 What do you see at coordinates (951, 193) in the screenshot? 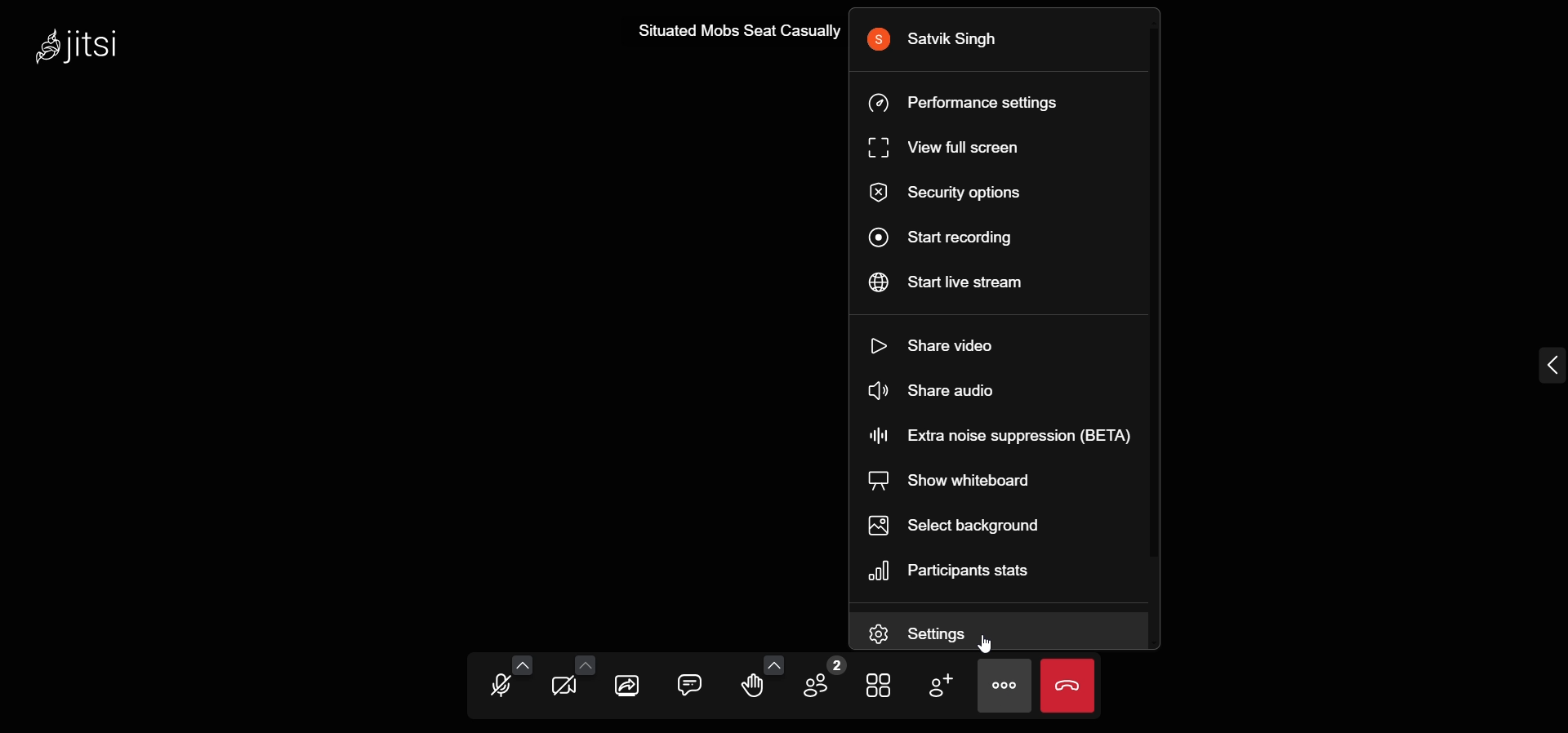
I see `security options` at bounding box center [951, 193].